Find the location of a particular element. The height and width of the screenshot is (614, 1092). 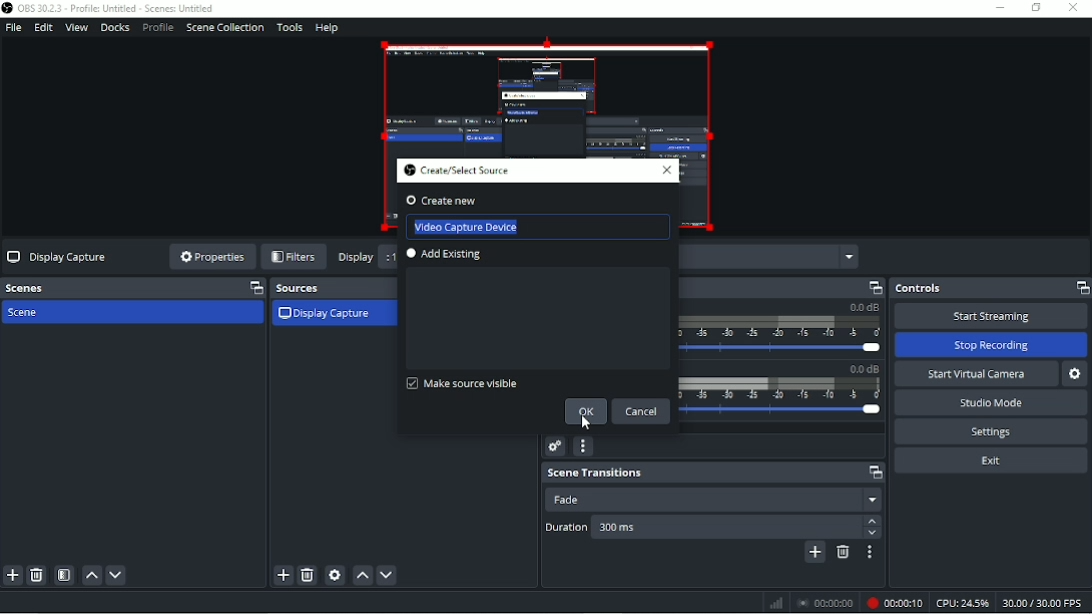

Start streaming is located at coordinates (991, 314).